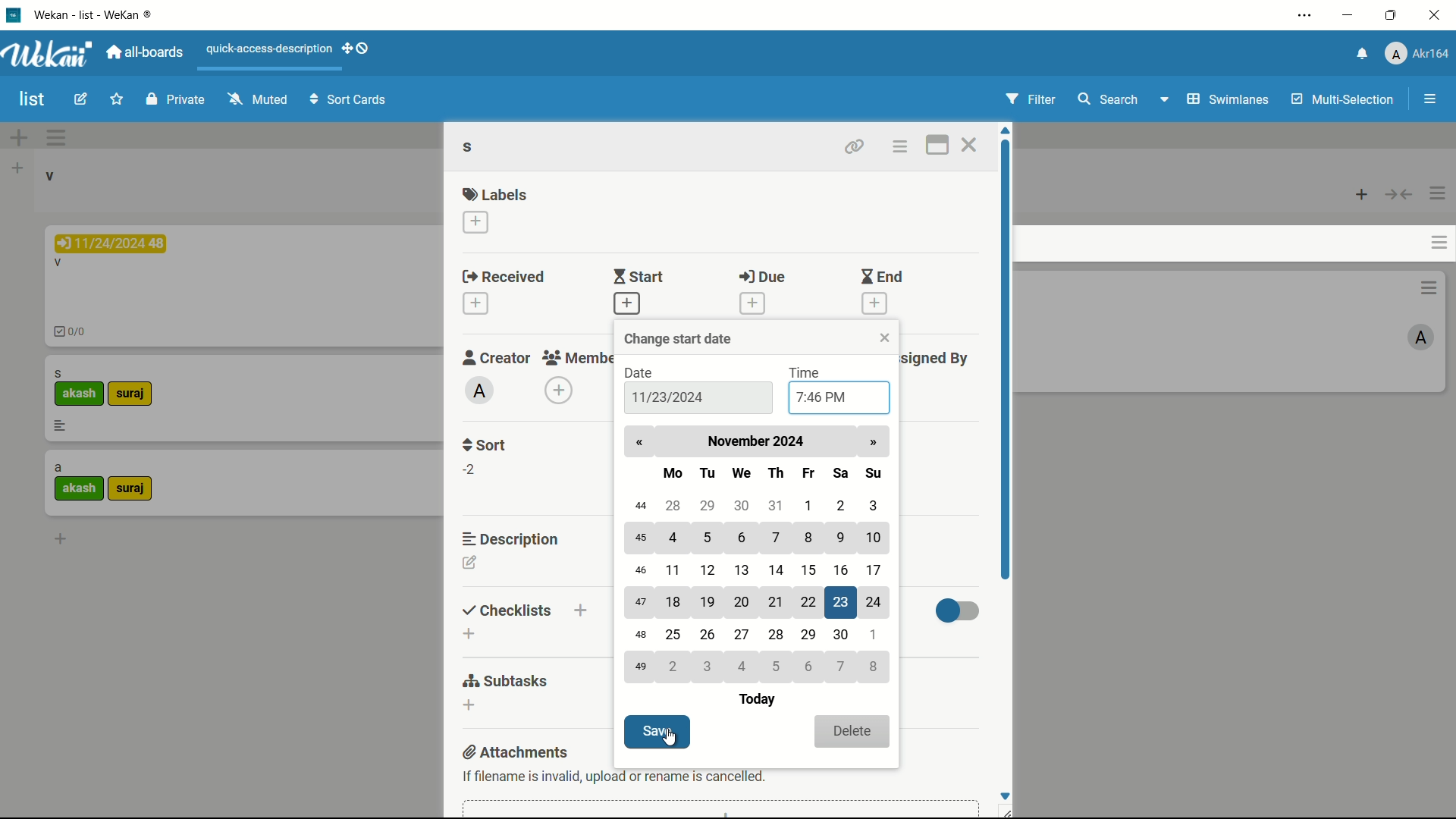 This screenshot has height=819, width=1456. I want to click on due date, so click(111, 243).